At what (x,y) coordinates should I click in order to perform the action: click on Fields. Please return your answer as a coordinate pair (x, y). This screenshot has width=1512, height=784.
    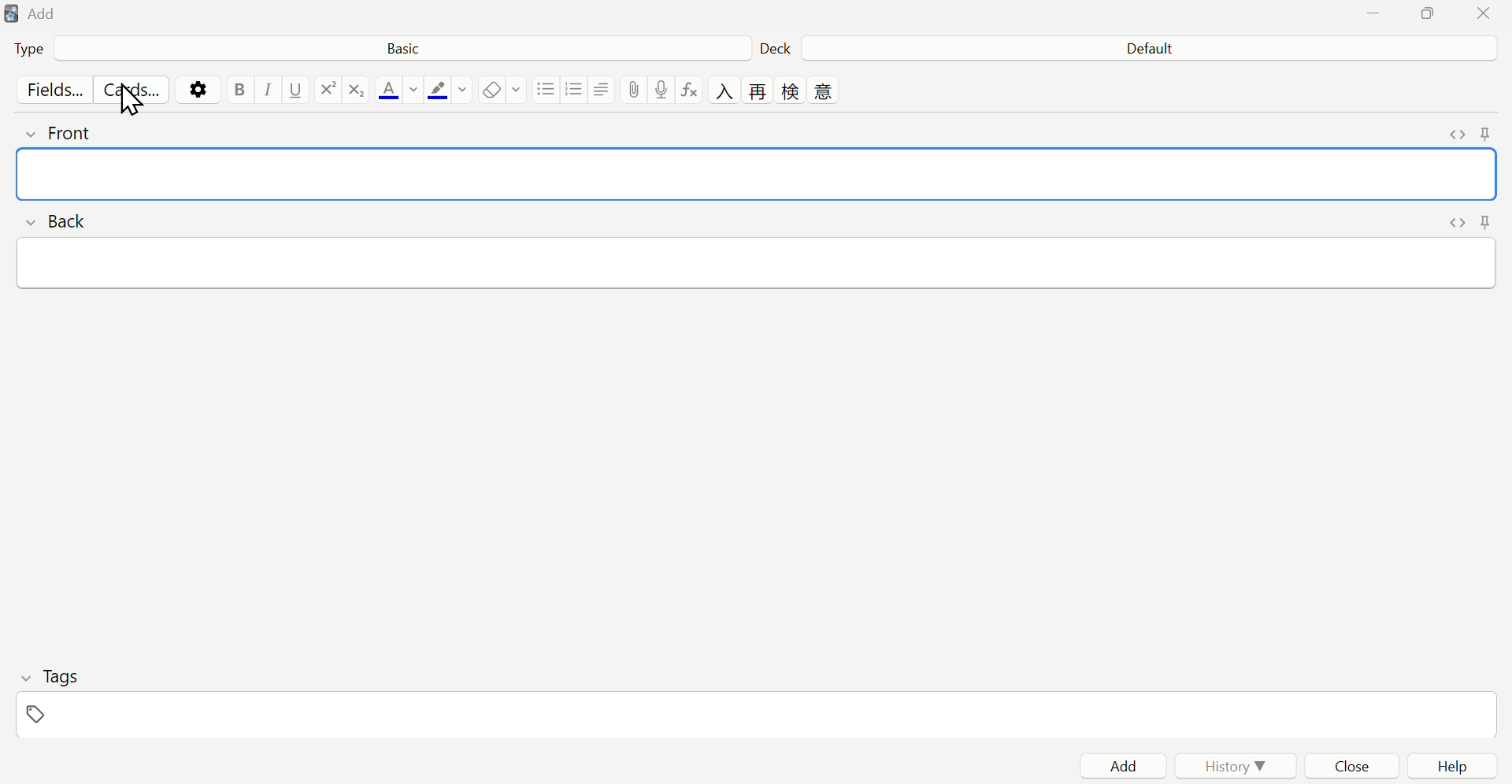
    Looking at the image, I should click on (41, 88).